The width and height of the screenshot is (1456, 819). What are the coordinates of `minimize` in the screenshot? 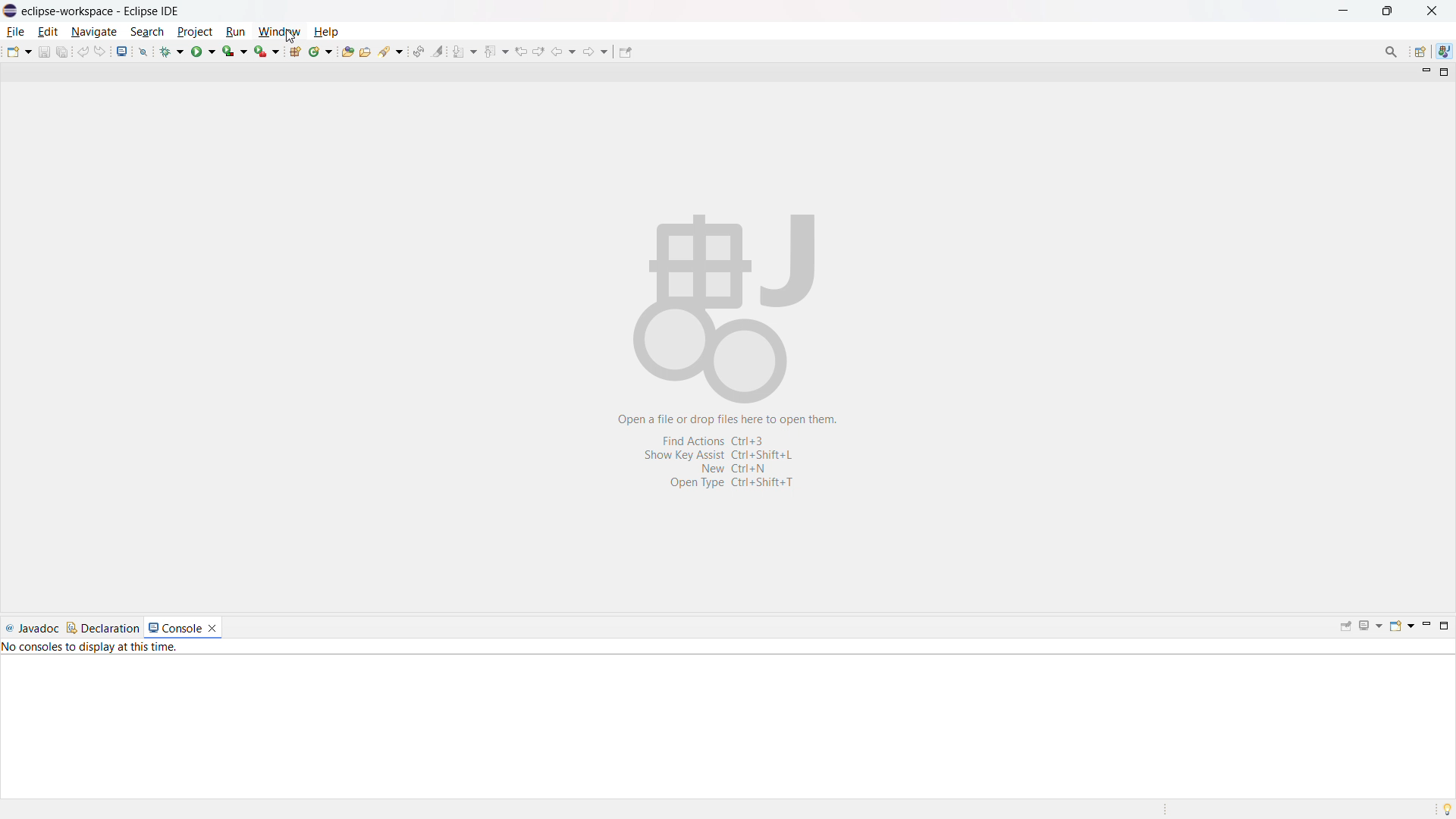 It's located at (1345, 11).